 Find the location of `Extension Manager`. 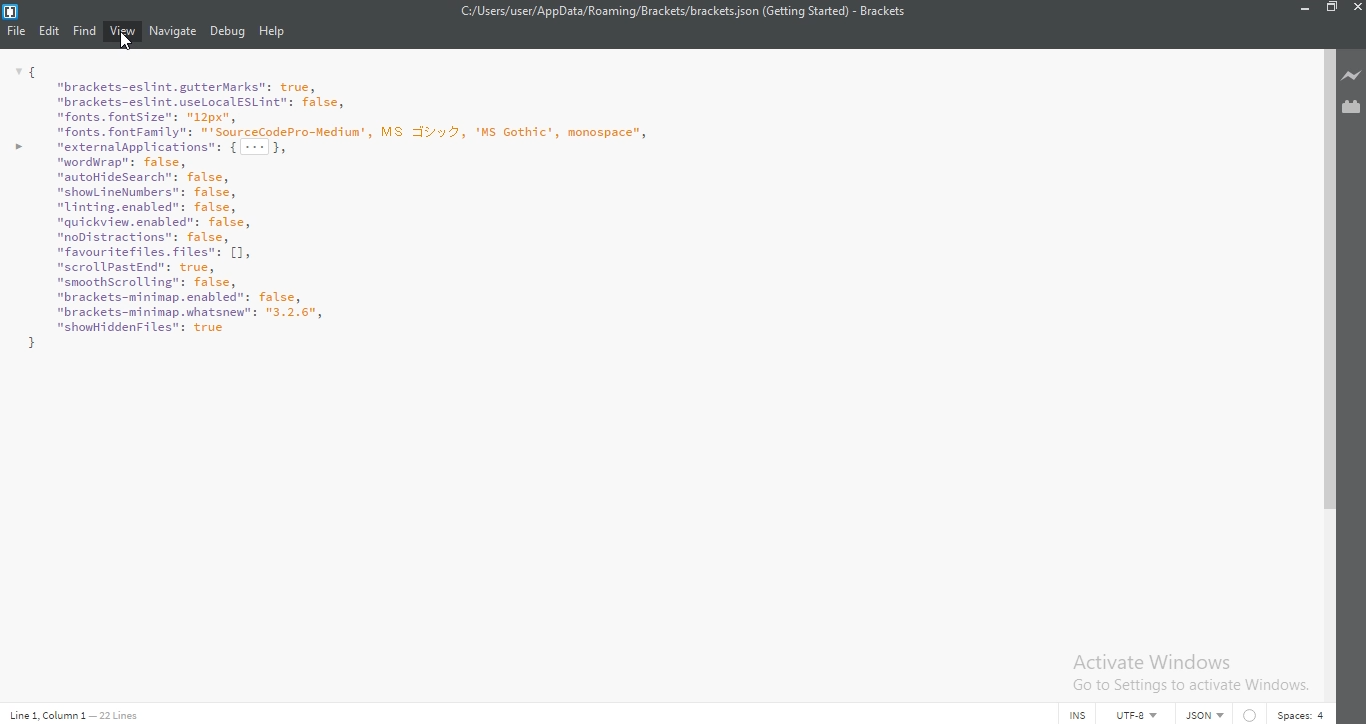

Extension Manager is located at coordinates (1352, 110).